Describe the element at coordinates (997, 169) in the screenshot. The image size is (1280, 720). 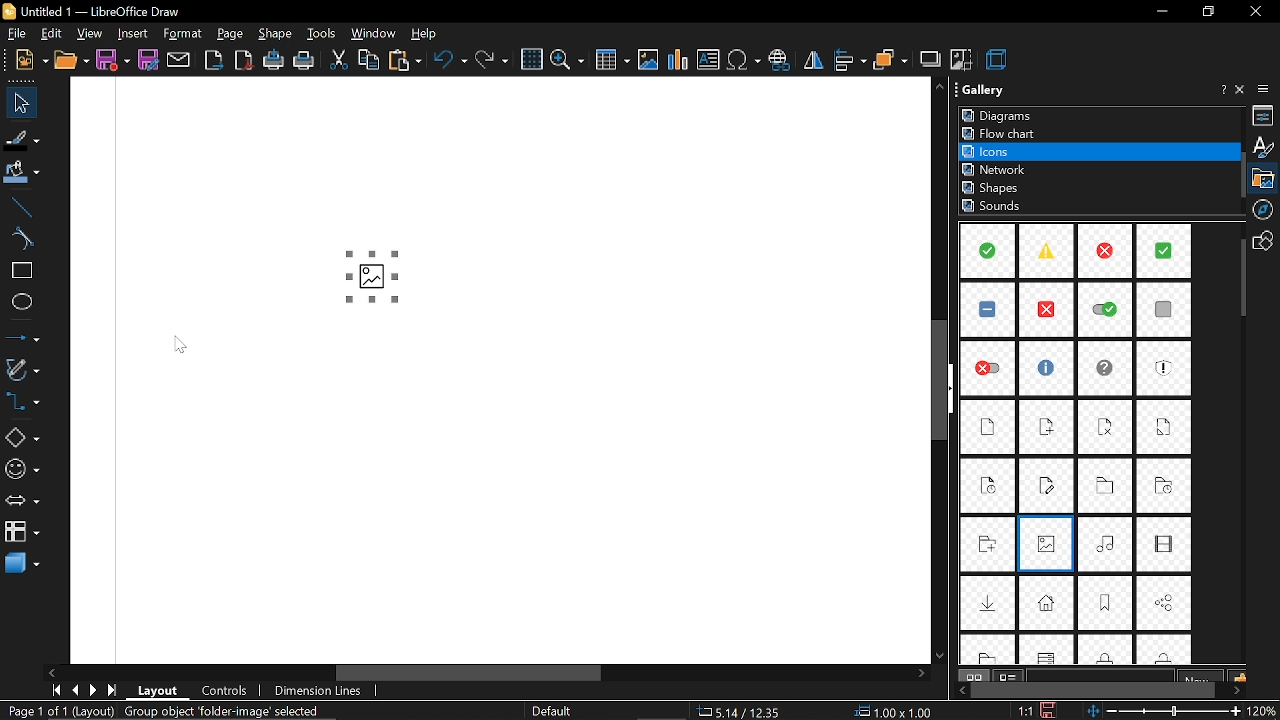
I see `network ` at that location.